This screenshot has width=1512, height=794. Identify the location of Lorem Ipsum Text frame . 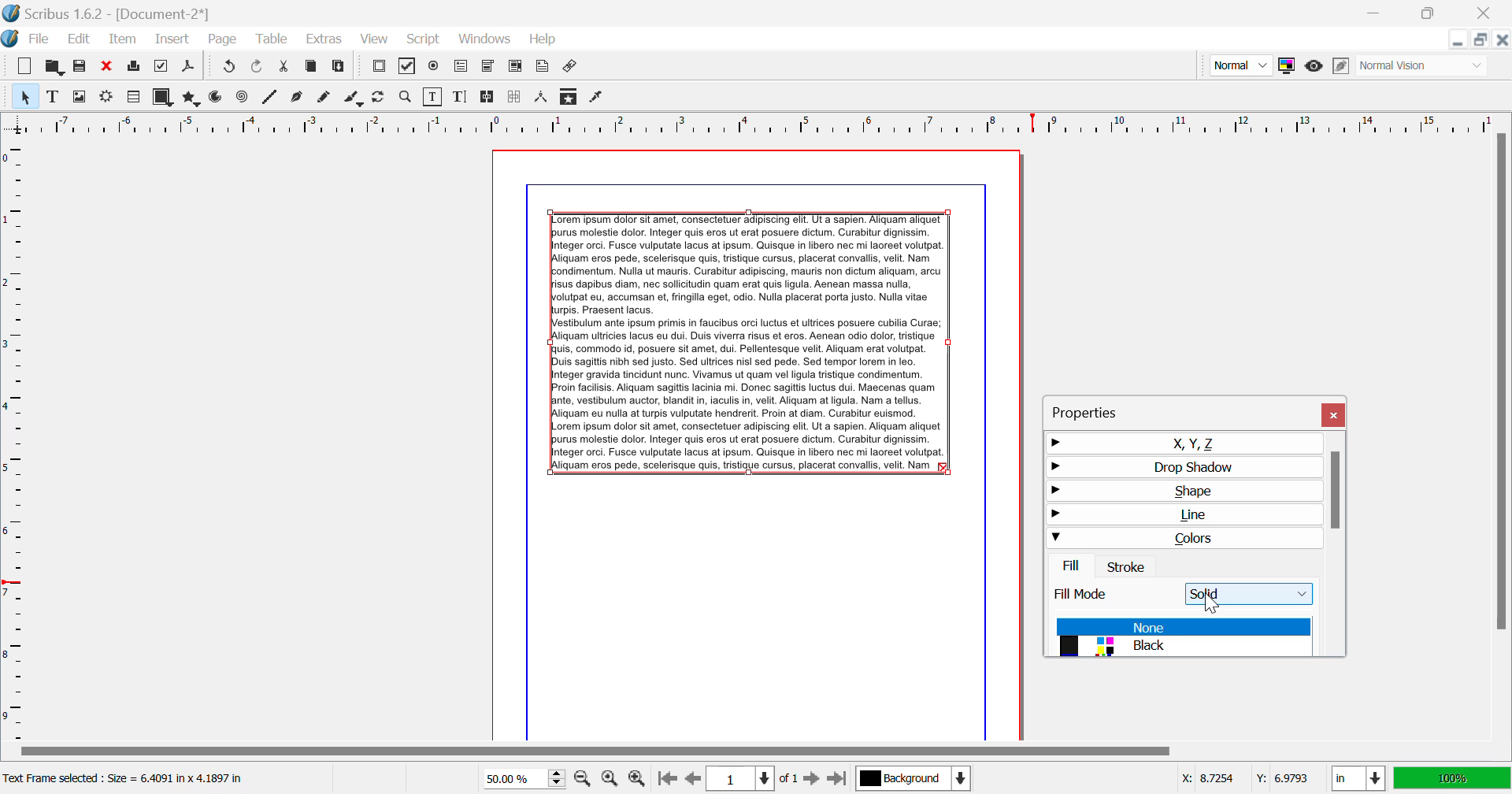
(750, 343).